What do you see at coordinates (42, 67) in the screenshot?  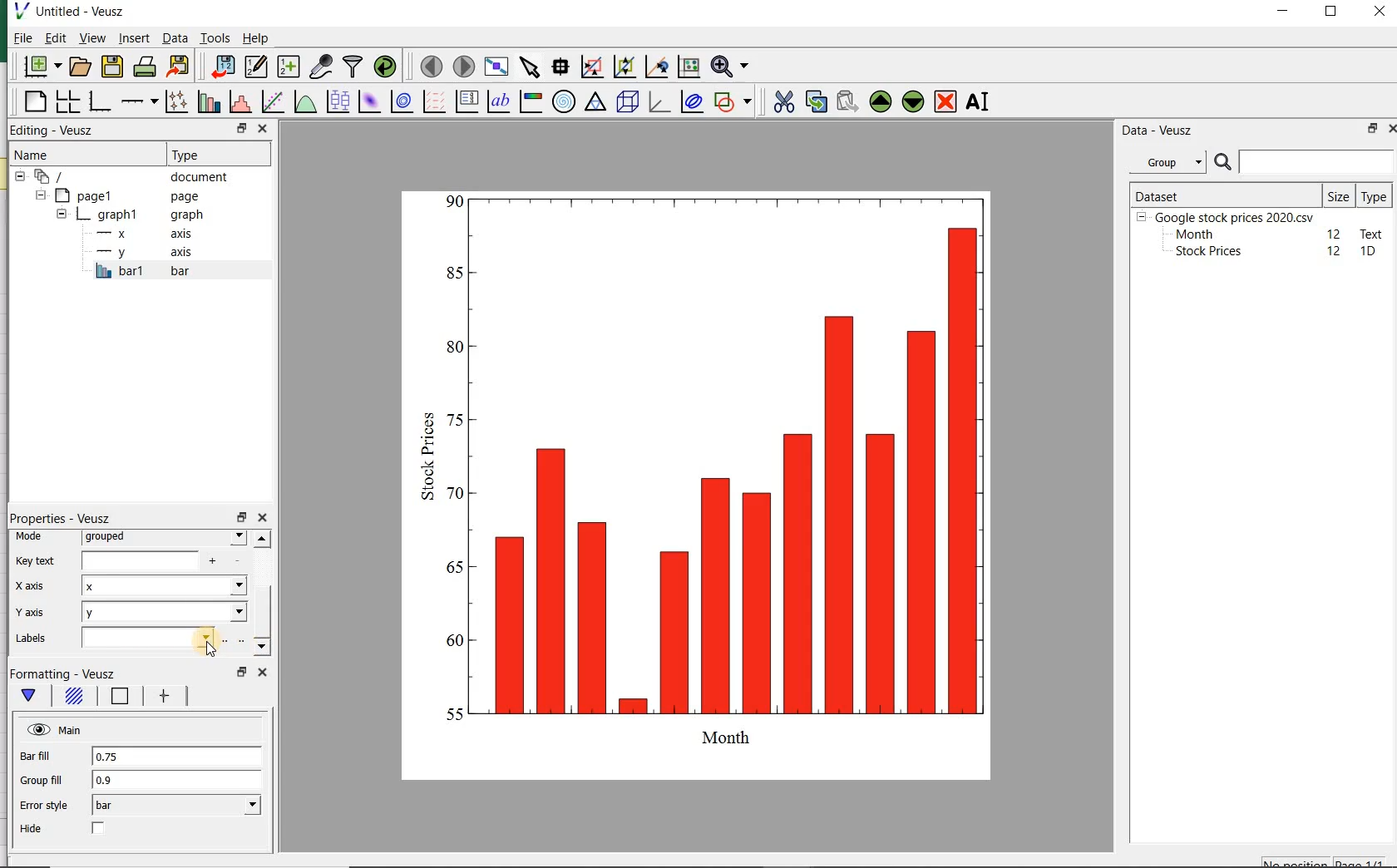 I see `new document` at bounding box center [42, 67].